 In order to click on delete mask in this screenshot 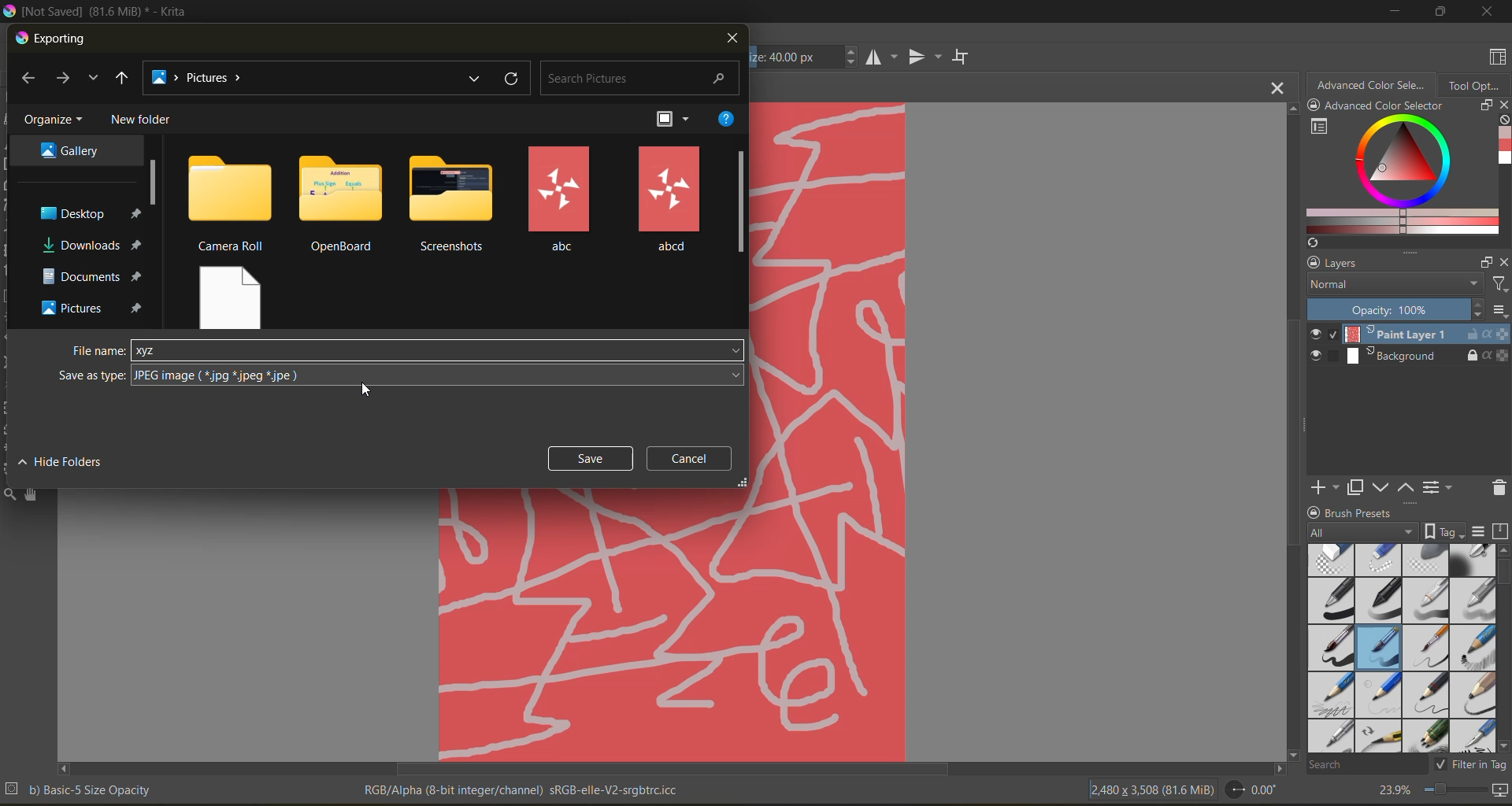, I will do `click(1499, 490)`.